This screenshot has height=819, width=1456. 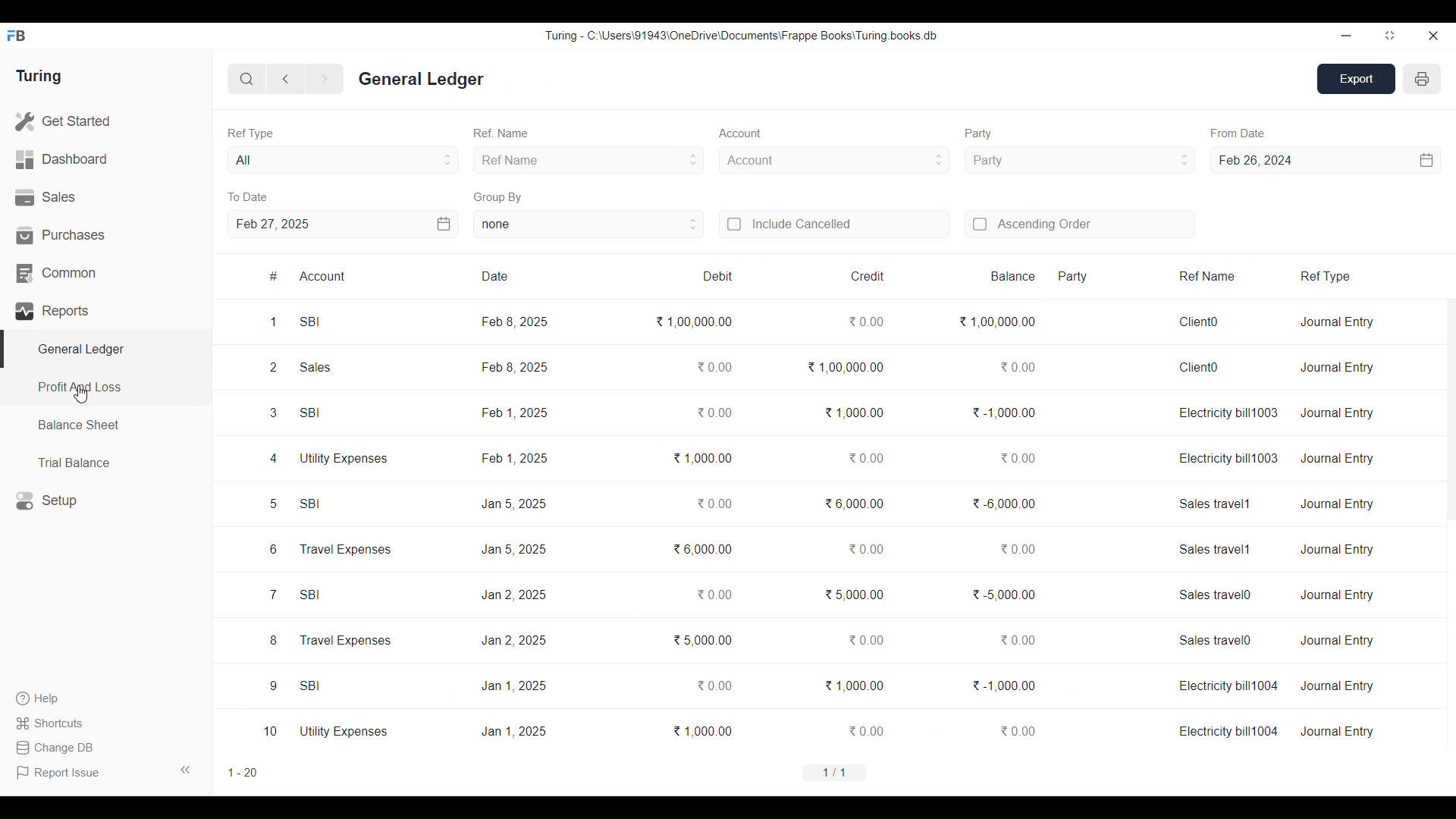 I want to click on Search, so click(x=247, y=79).